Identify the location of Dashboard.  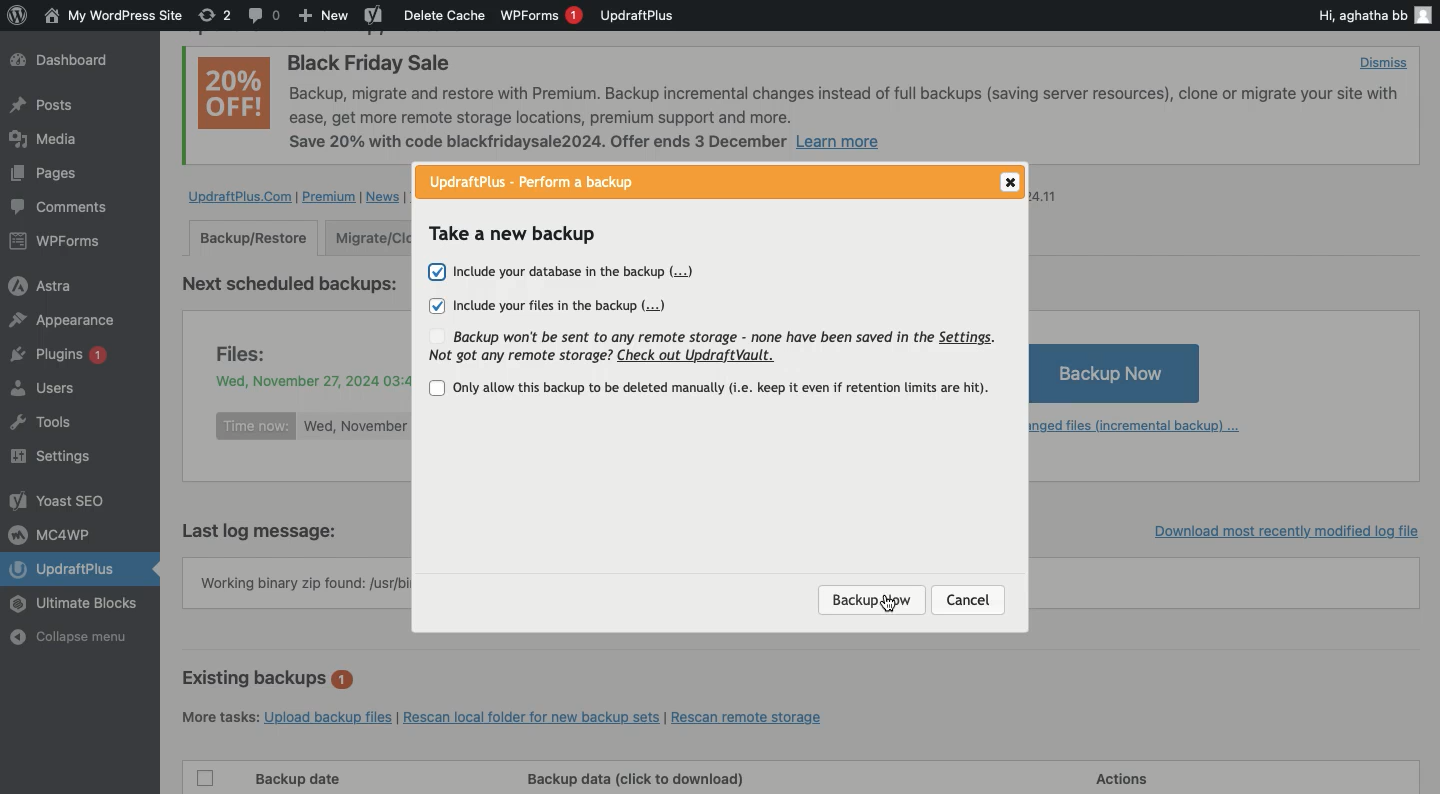
(72, 62).